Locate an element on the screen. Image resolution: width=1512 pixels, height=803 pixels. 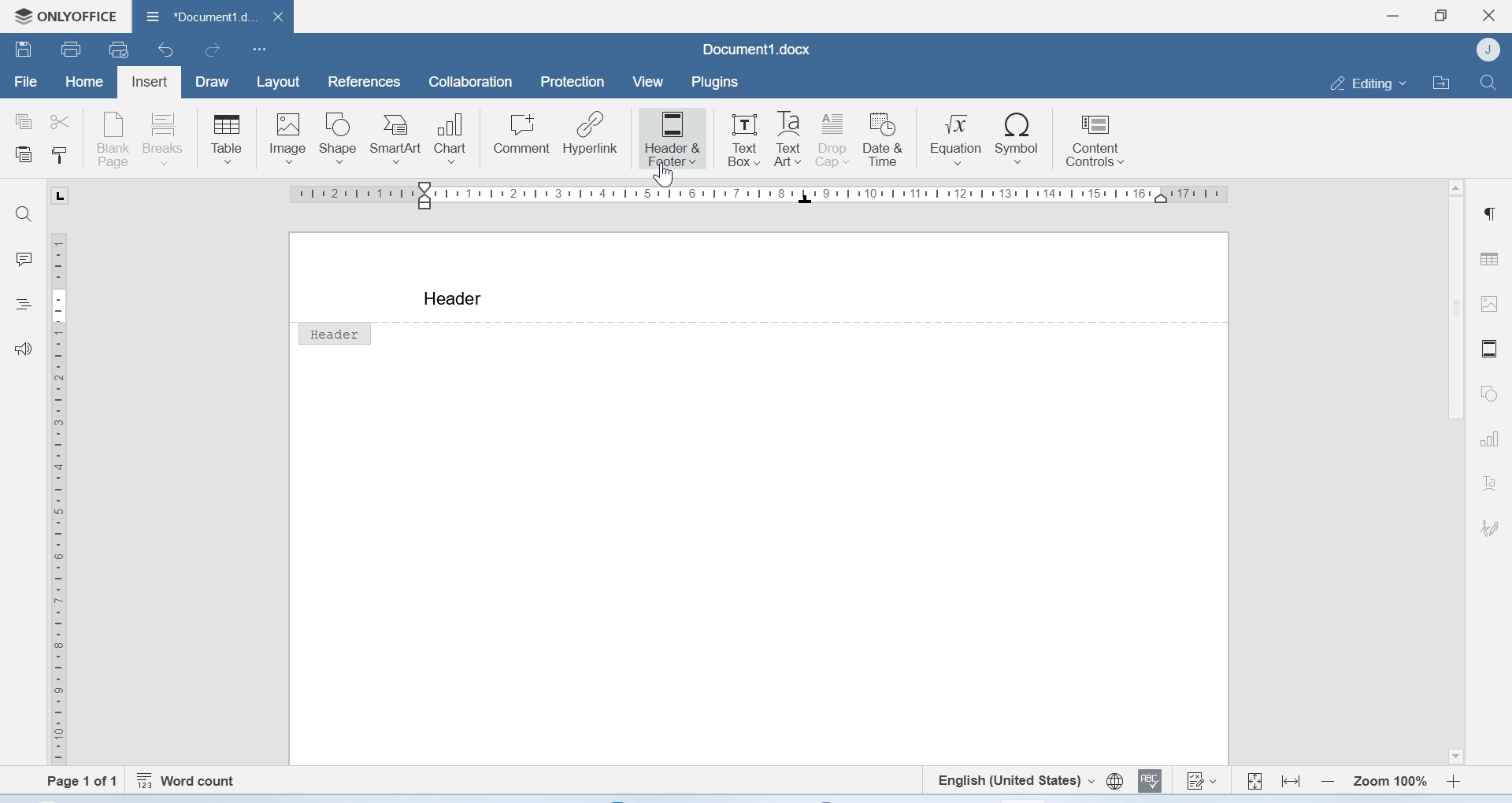
Symbol is located at coordinates (1019, 139).